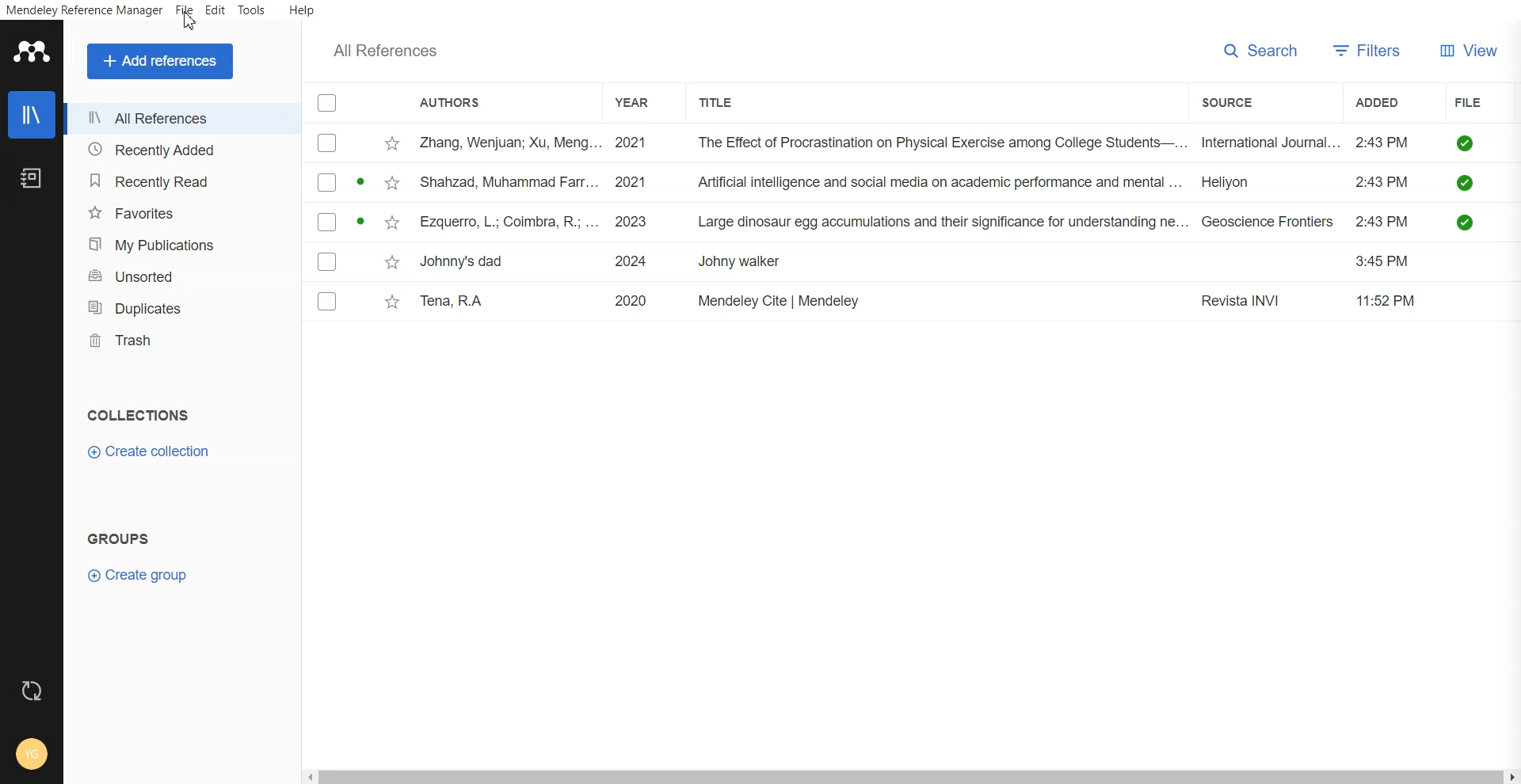 This screenshot has width=1521, height=784. Describe the element at coordinates (175, 182) in the screenshot. I see `Recently Read` at that location.